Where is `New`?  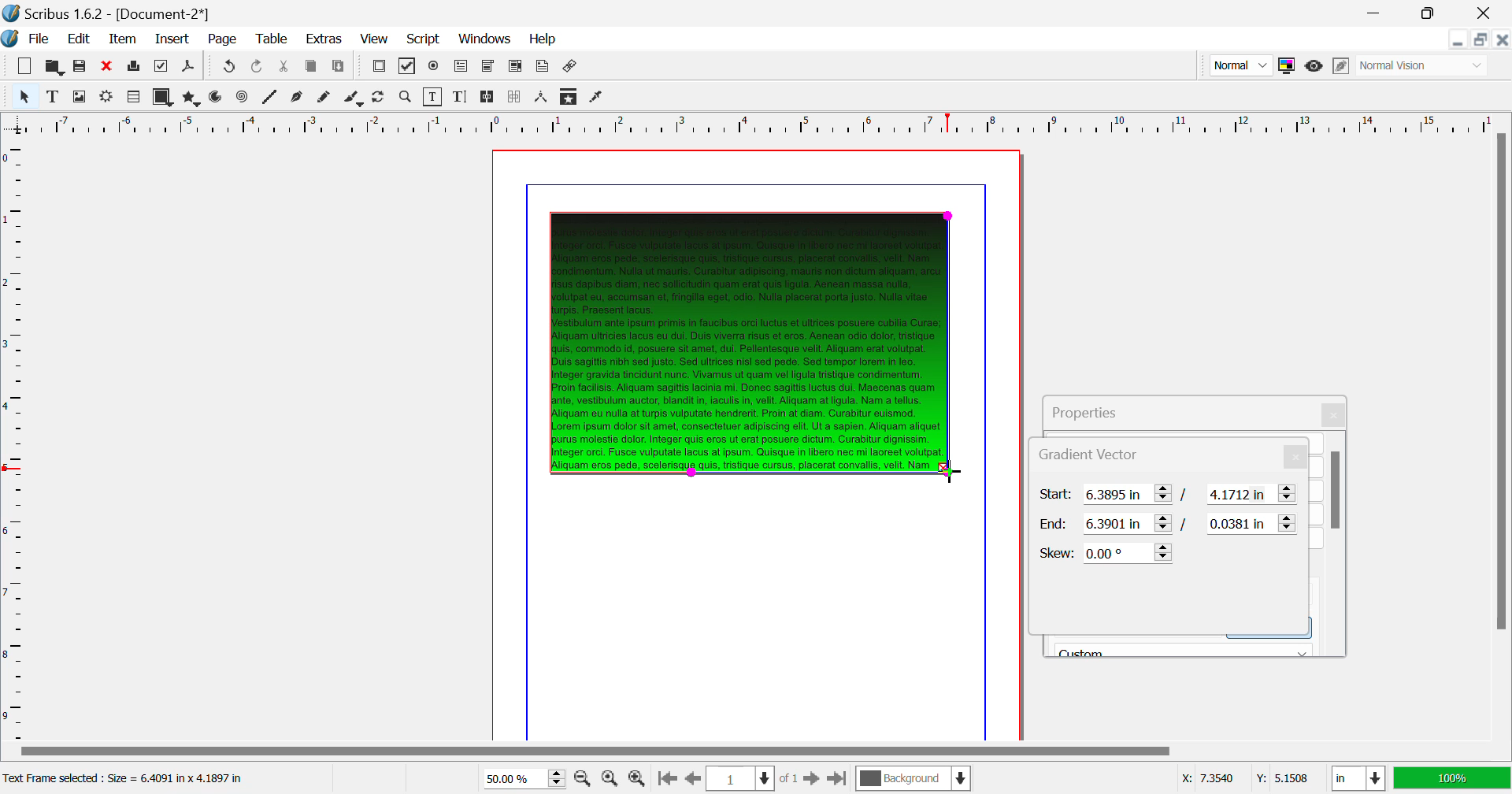 New is located at coordinates (25, 66).